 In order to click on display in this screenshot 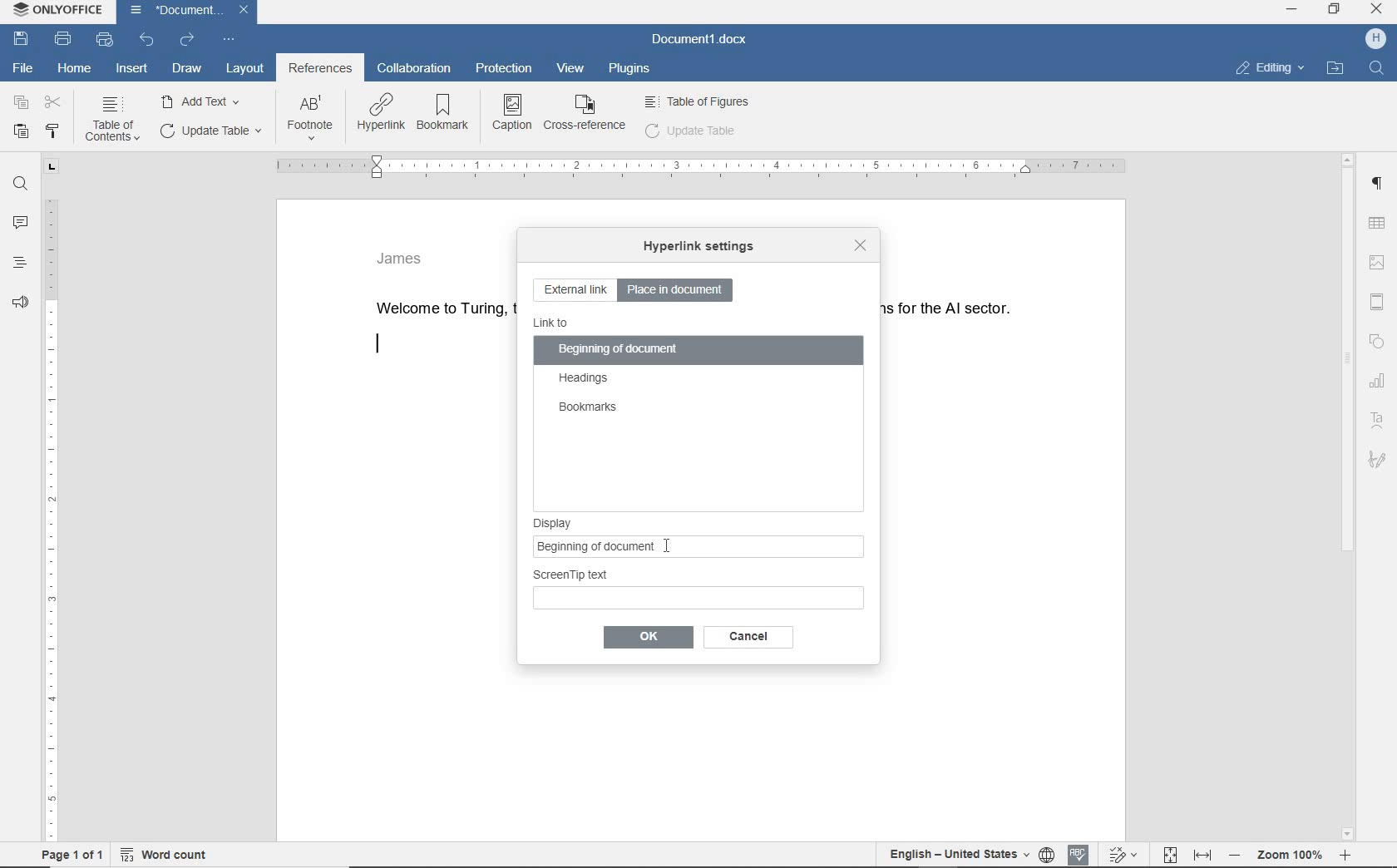, I will do `click(701, 518)`.